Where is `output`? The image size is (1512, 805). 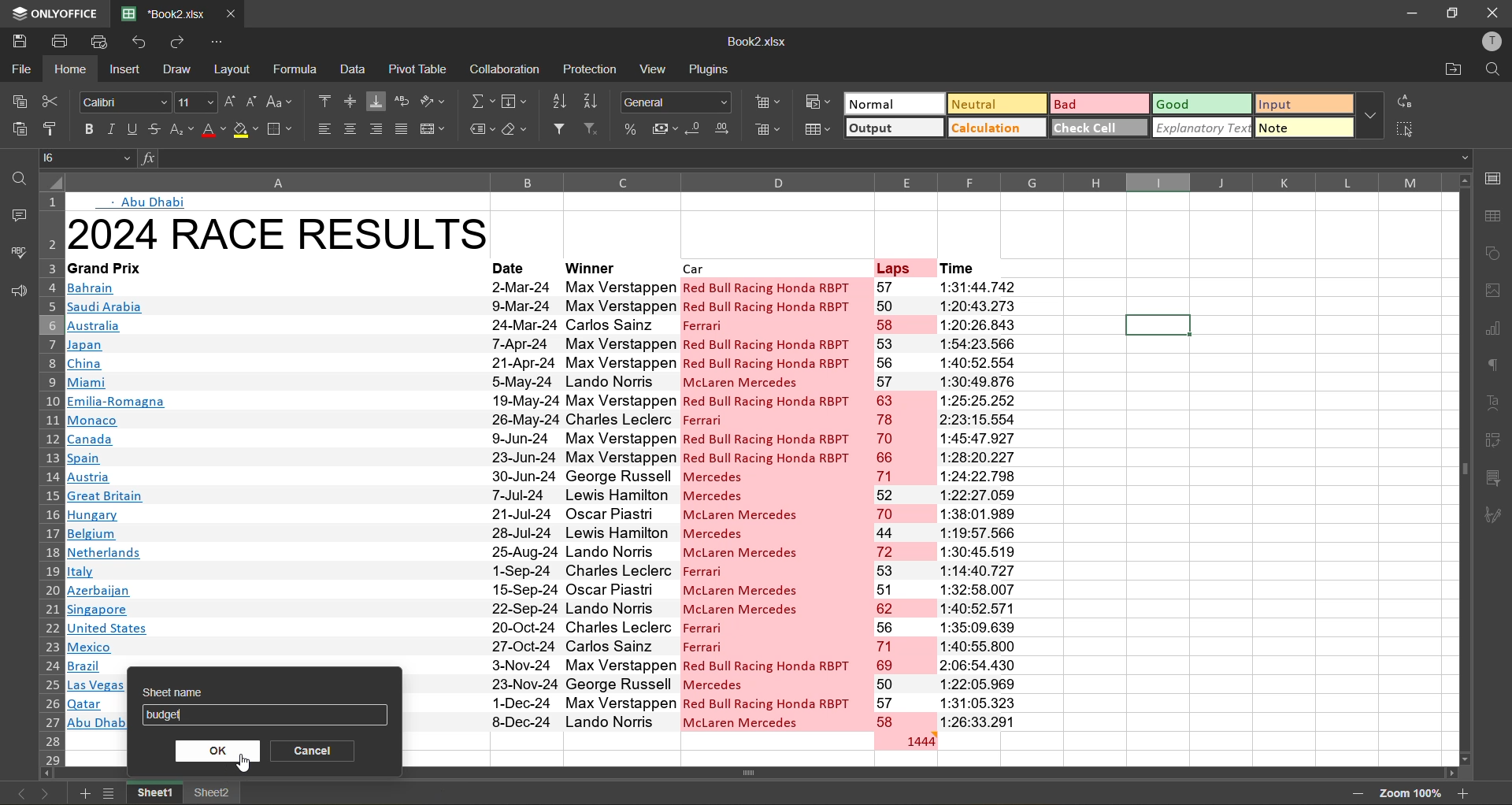
output is located at coordinates (890, 128).